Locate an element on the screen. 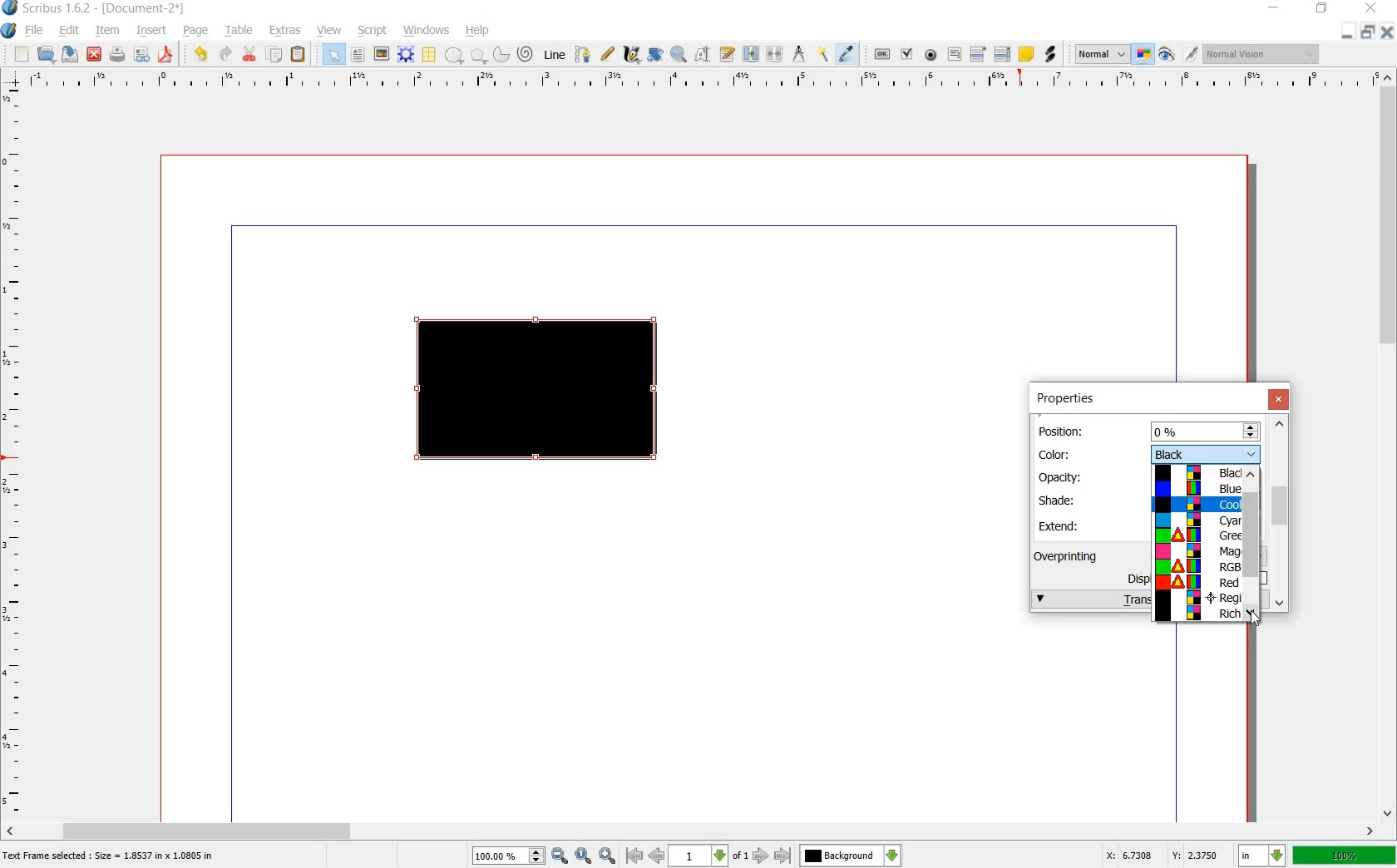  redo is located at coordinates (225, 55).